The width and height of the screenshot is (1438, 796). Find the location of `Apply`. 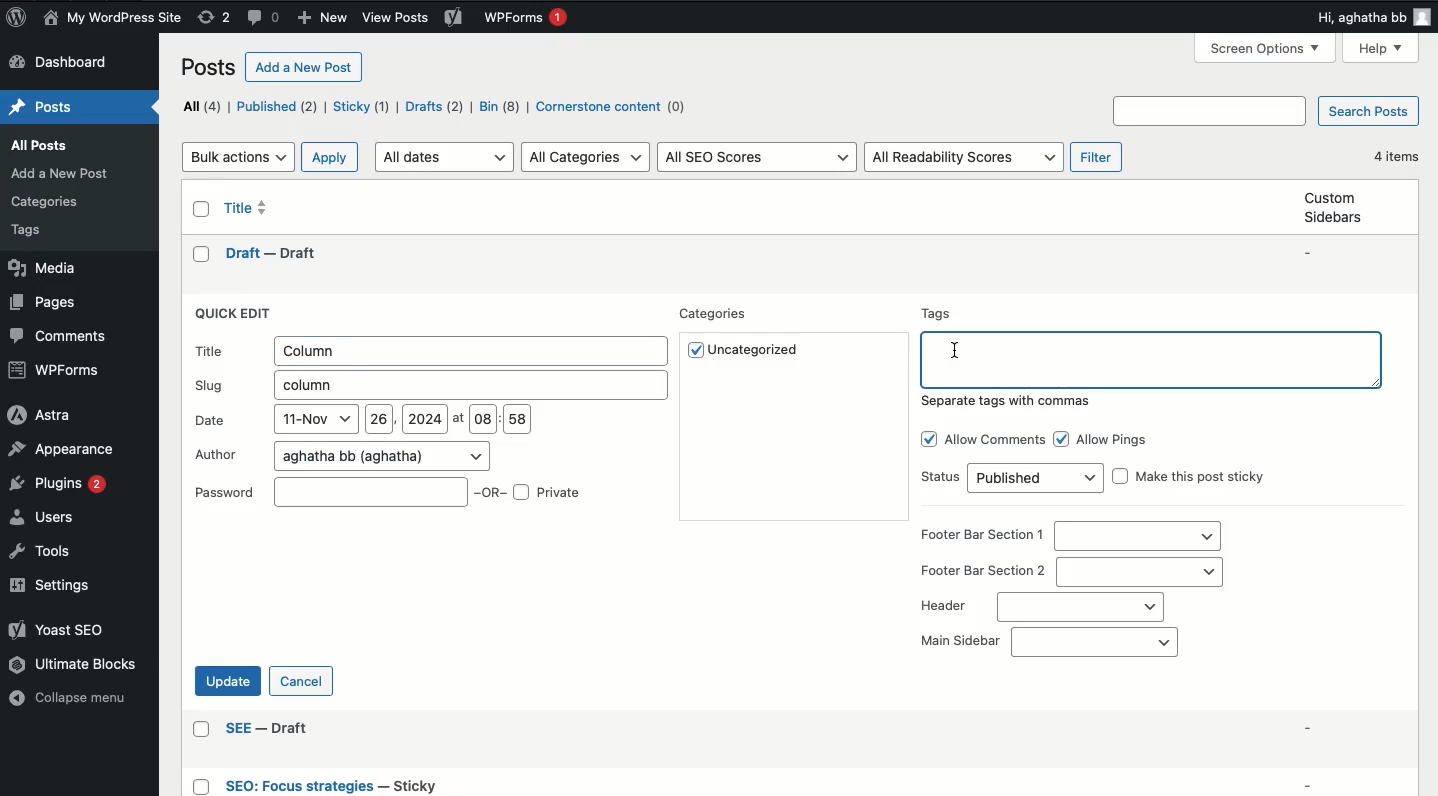

Apply is located at coordinates (332, 156).